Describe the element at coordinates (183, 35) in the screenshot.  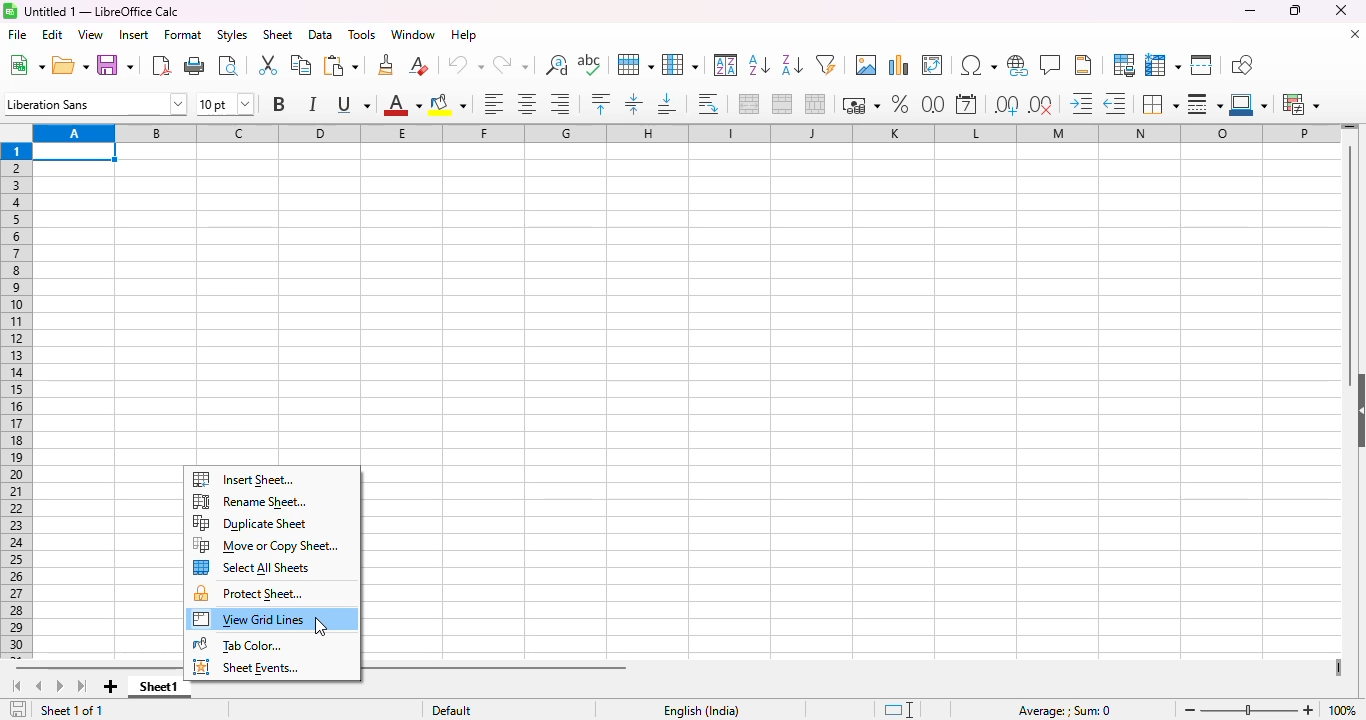
I see `format` at that location.